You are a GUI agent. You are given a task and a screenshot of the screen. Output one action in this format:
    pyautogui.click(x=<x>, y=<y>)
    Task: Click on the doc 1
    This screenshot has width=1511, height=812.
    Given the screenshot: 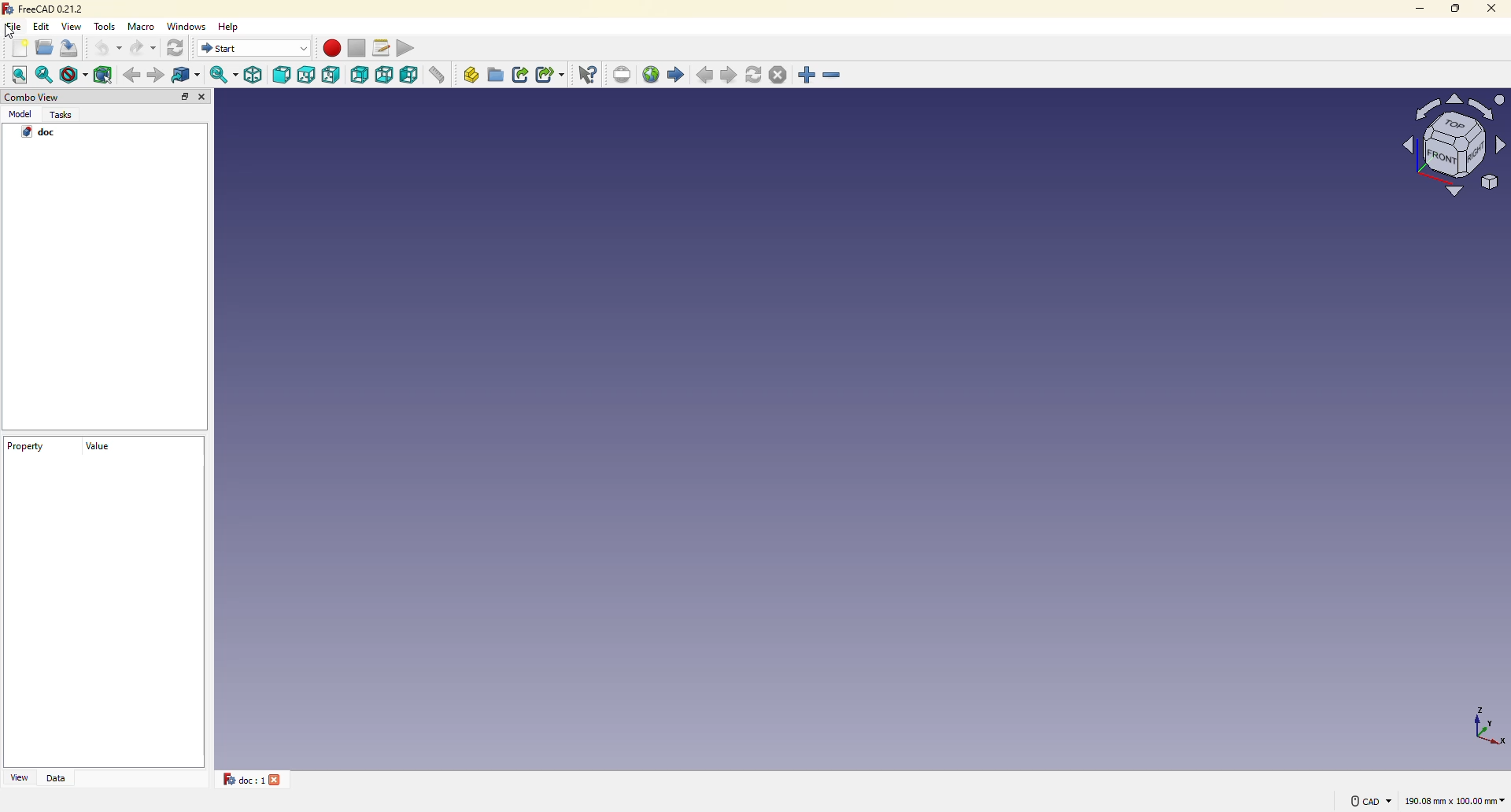 What is the action you would take?
    pyautogui.click(x=238, y=779)
    